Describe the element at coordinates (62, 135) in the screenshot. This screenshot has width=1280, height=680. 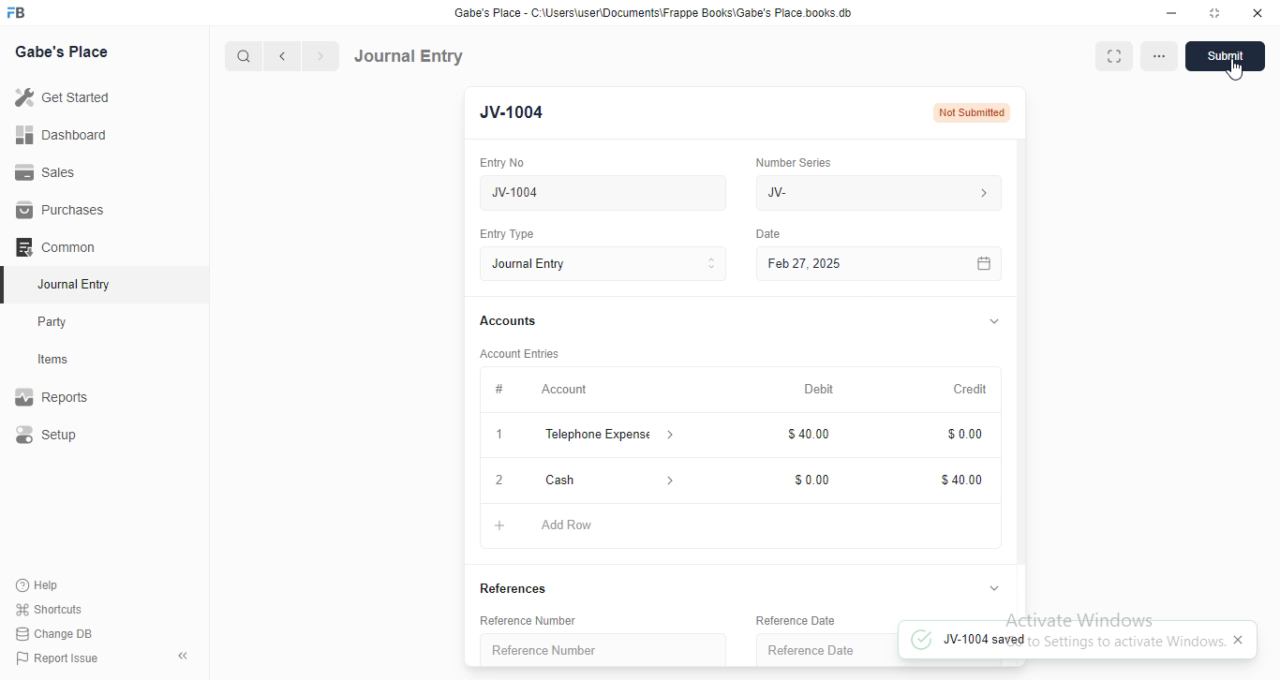
I see `Dashboard` at that location.